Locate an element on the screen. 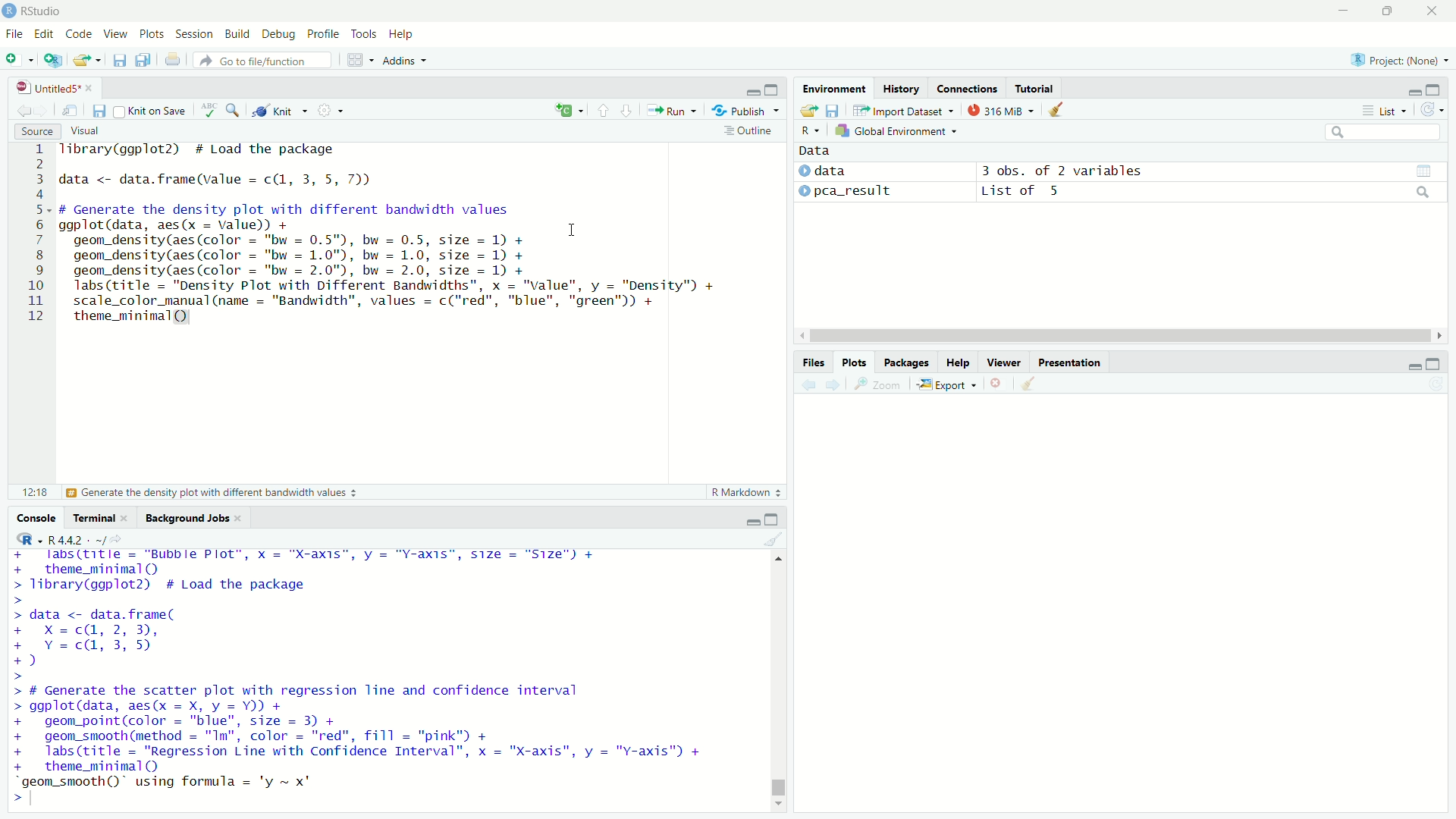 This screenshot has height=819, width=1456. Plots is located at coordinates (151, 33).